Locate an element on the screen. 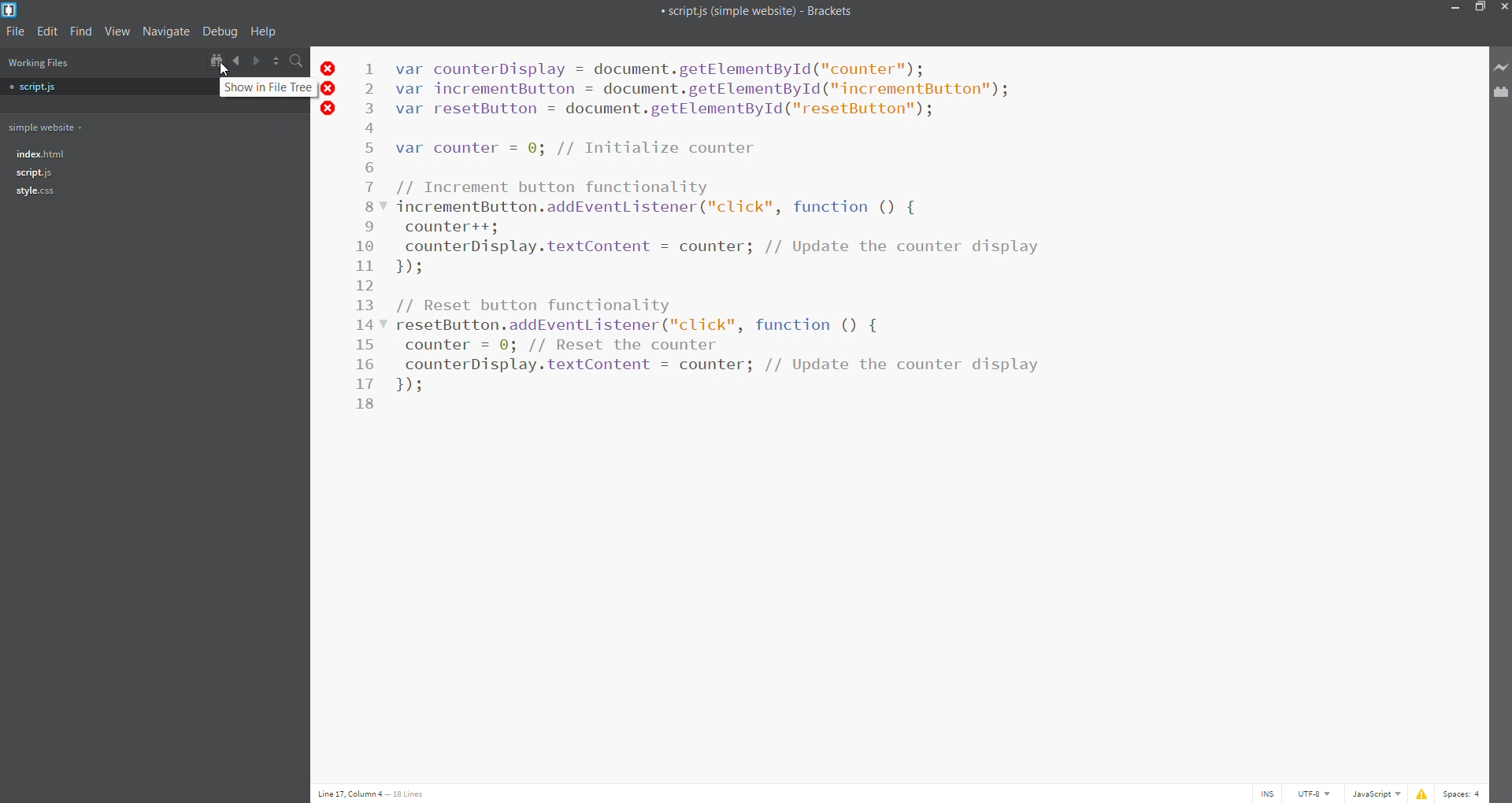 This screenshot has height=803, width=1512. maximize is located at coordinates (1480, 6).